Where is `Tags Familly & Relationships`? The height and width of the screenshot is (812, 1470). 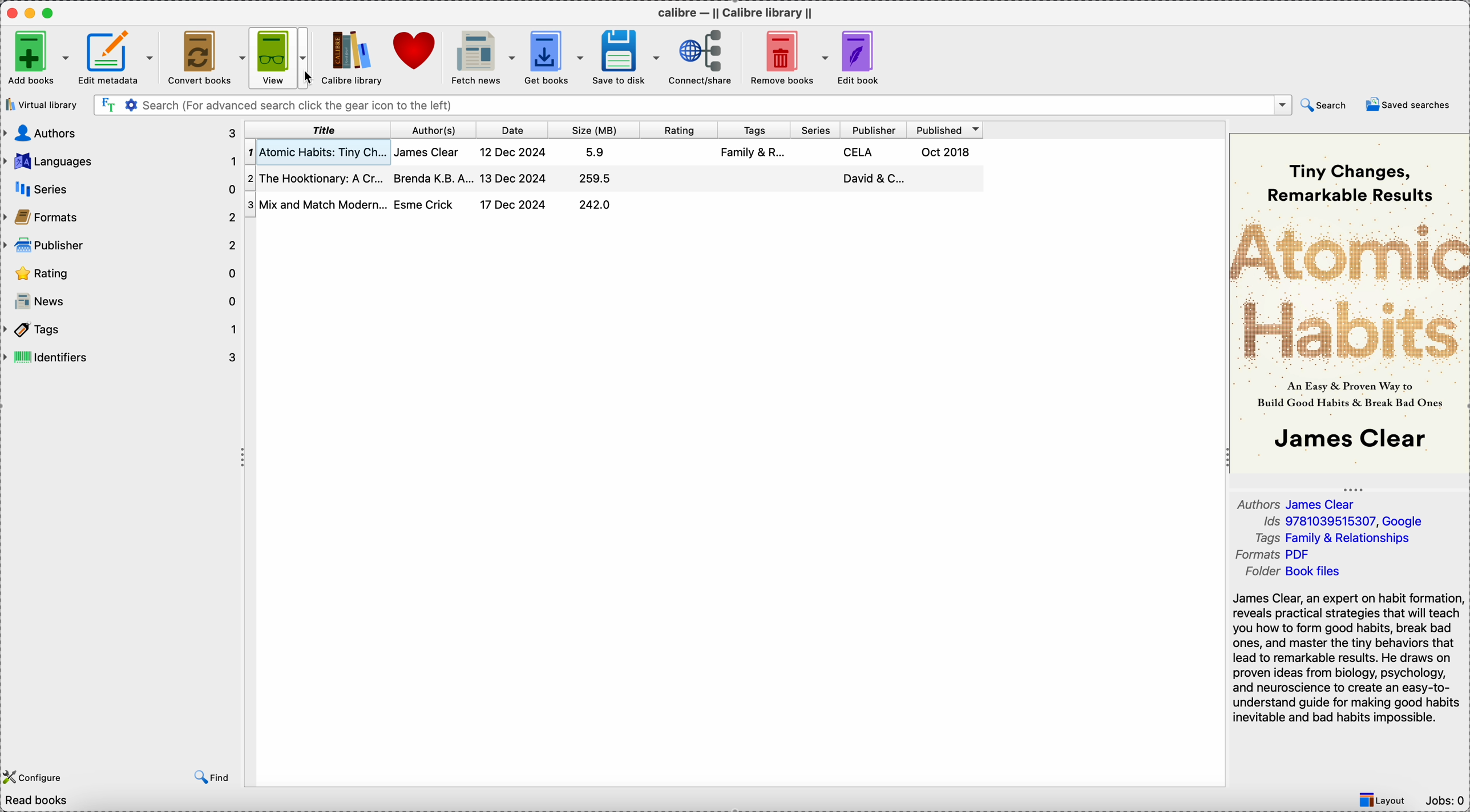
Tags Familly & Relationships is located at coordinates (1338, 540).